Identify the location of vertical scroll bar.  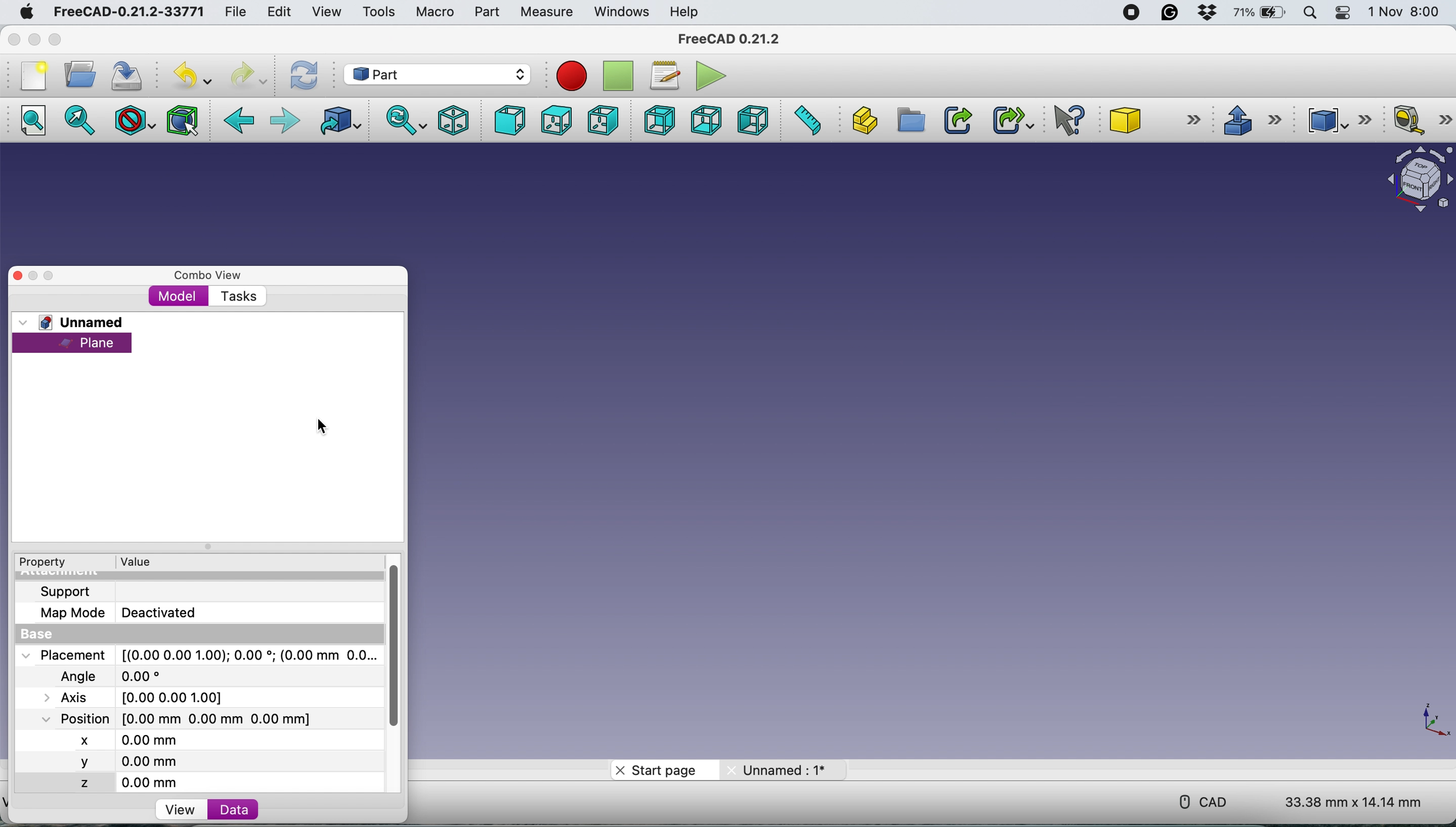
(396, 645).